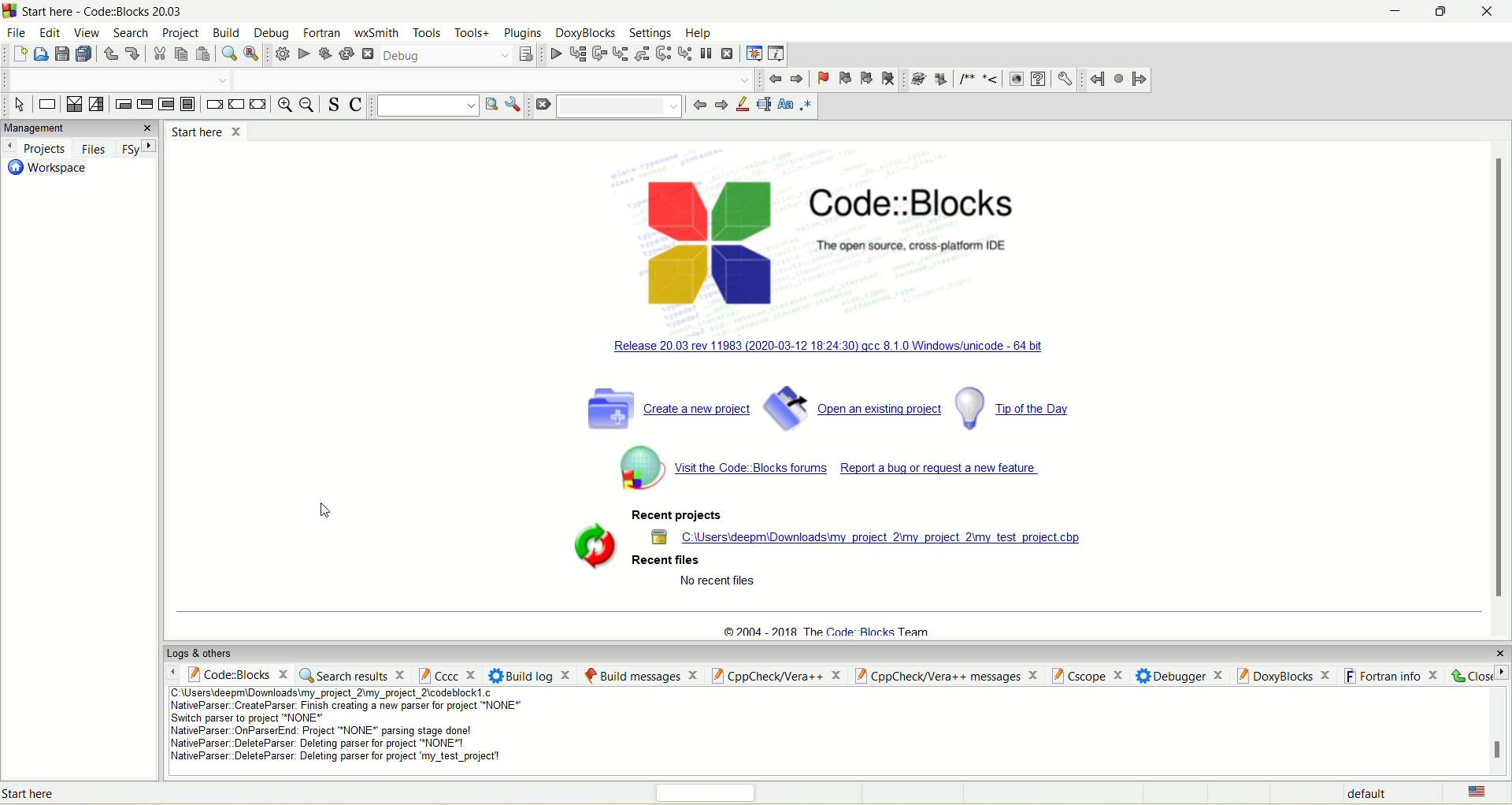  I want to click on project, so click(183, 36).